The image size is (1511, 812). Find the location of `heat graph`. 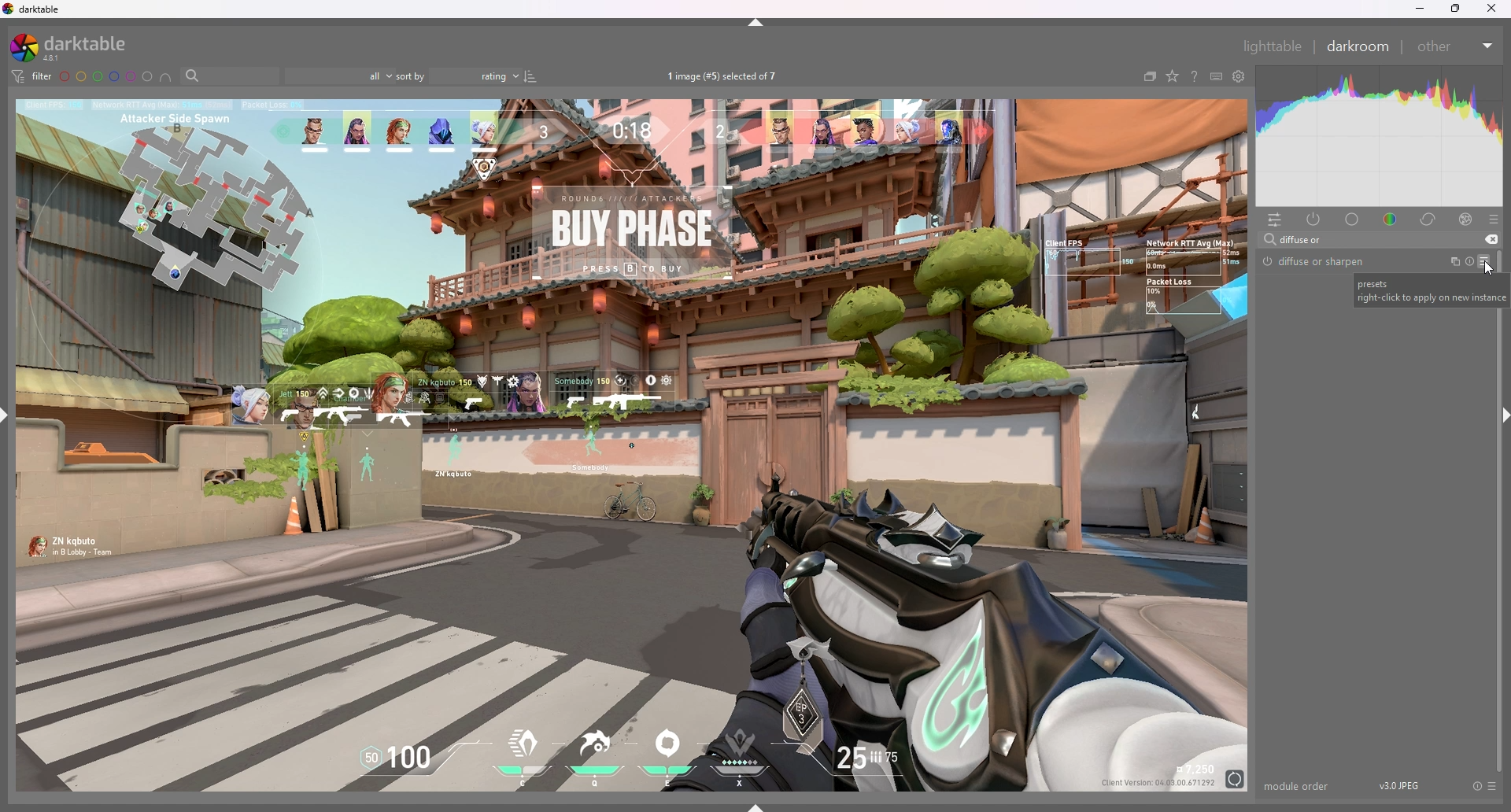

heat graph is located at coordinates (1380, 136).